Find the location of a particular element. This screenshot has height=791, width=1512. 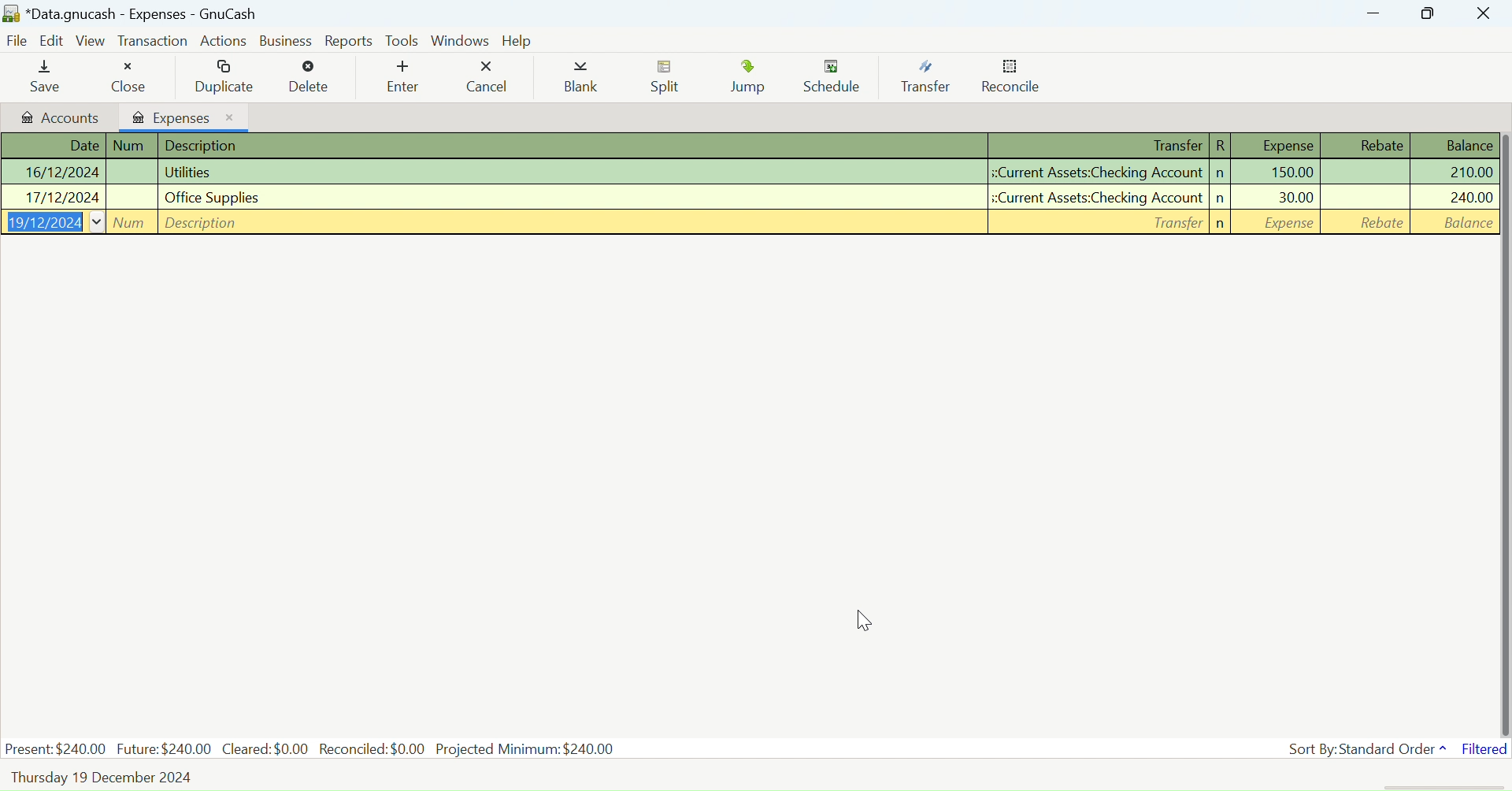

Thursday, 19 December 2024 is located at coordinates (103, 778).